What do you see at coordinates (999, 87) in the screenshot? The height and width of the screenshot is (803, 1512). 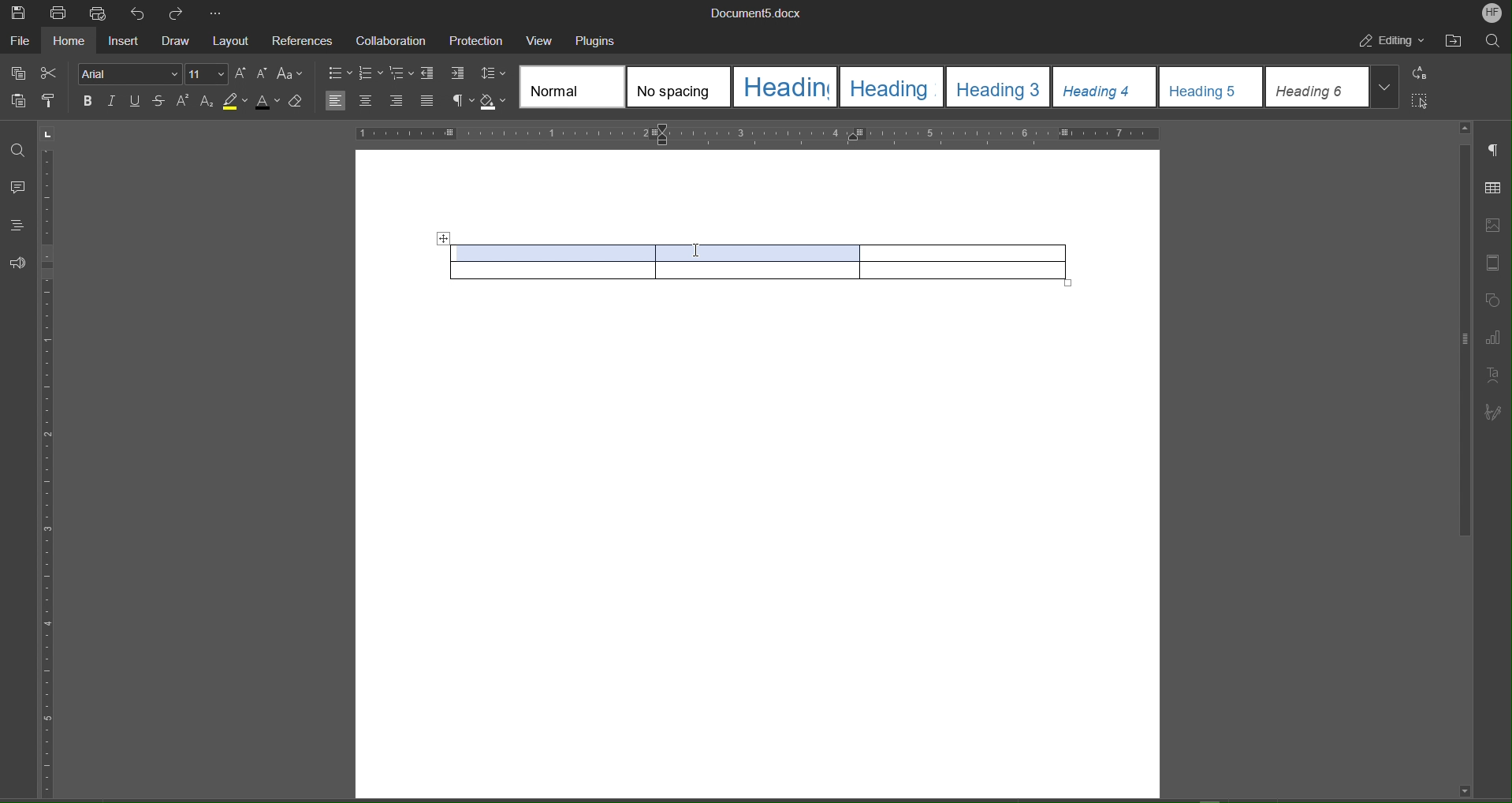 I see `heading 3` at bounding box center [999, 87].